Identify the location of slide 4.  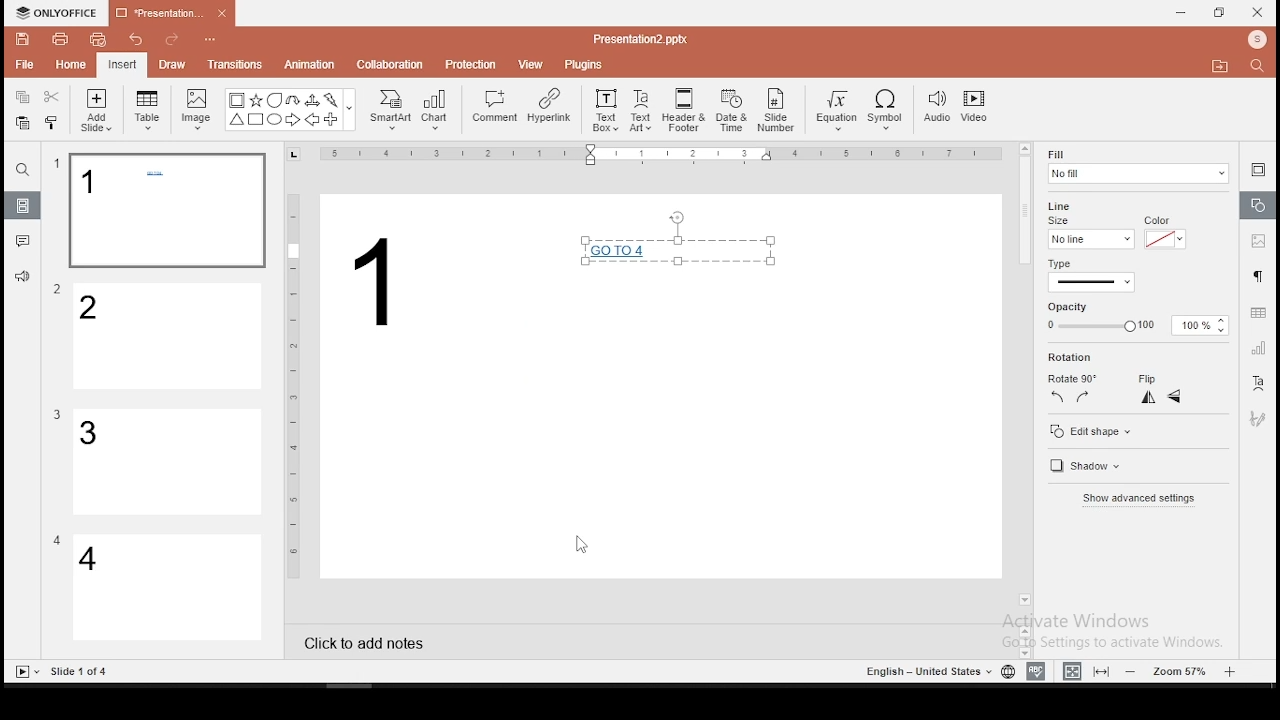
(168, 589).